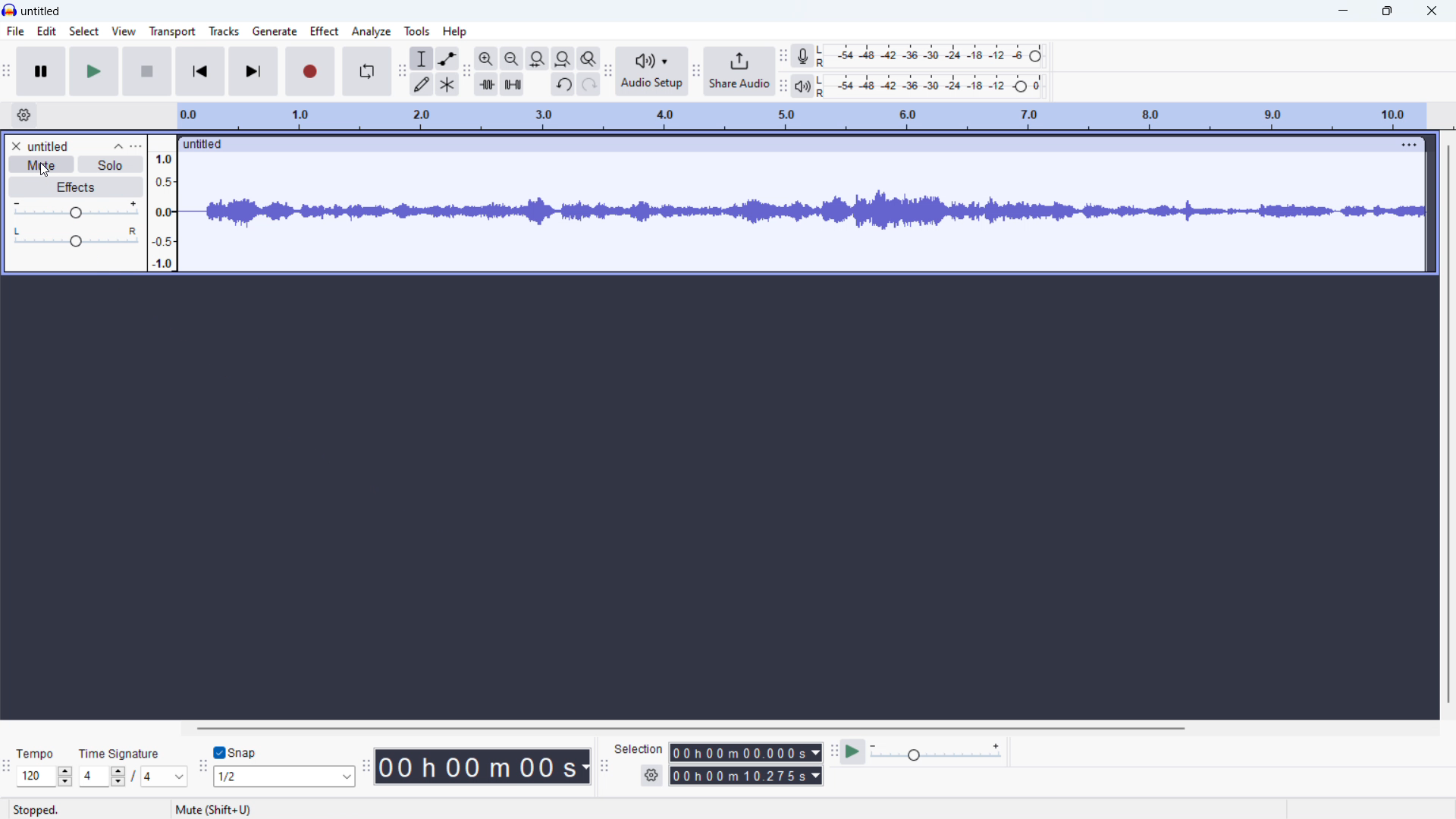 This screenshot has height=819, width=1456. What do you see at coordinates (487, 58) in the screenshot?
I see `zoom in` at bounding box center [487, 58].